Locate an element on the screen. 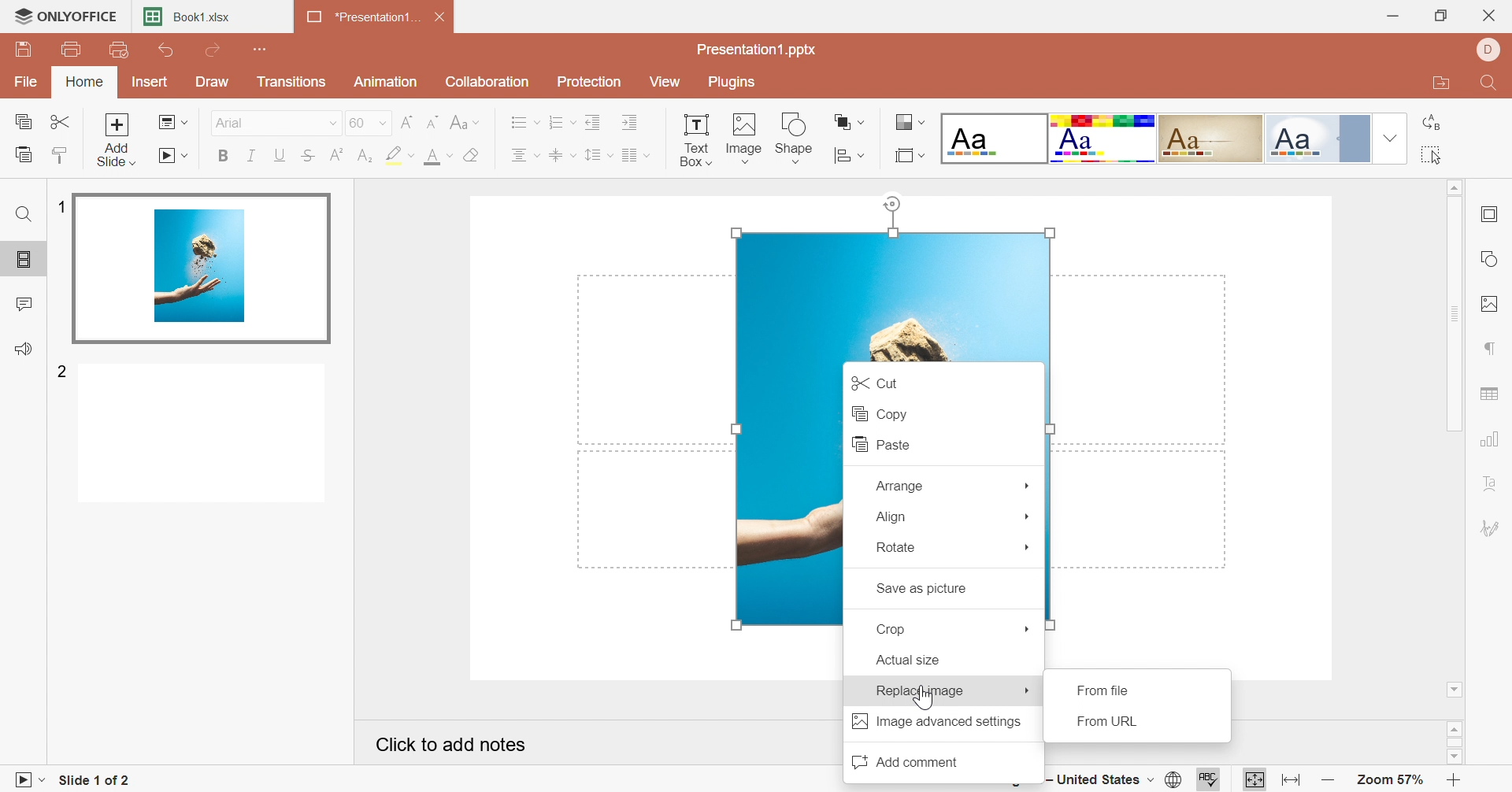  Slide 1 of 2 is located at coordinates (90, 781).